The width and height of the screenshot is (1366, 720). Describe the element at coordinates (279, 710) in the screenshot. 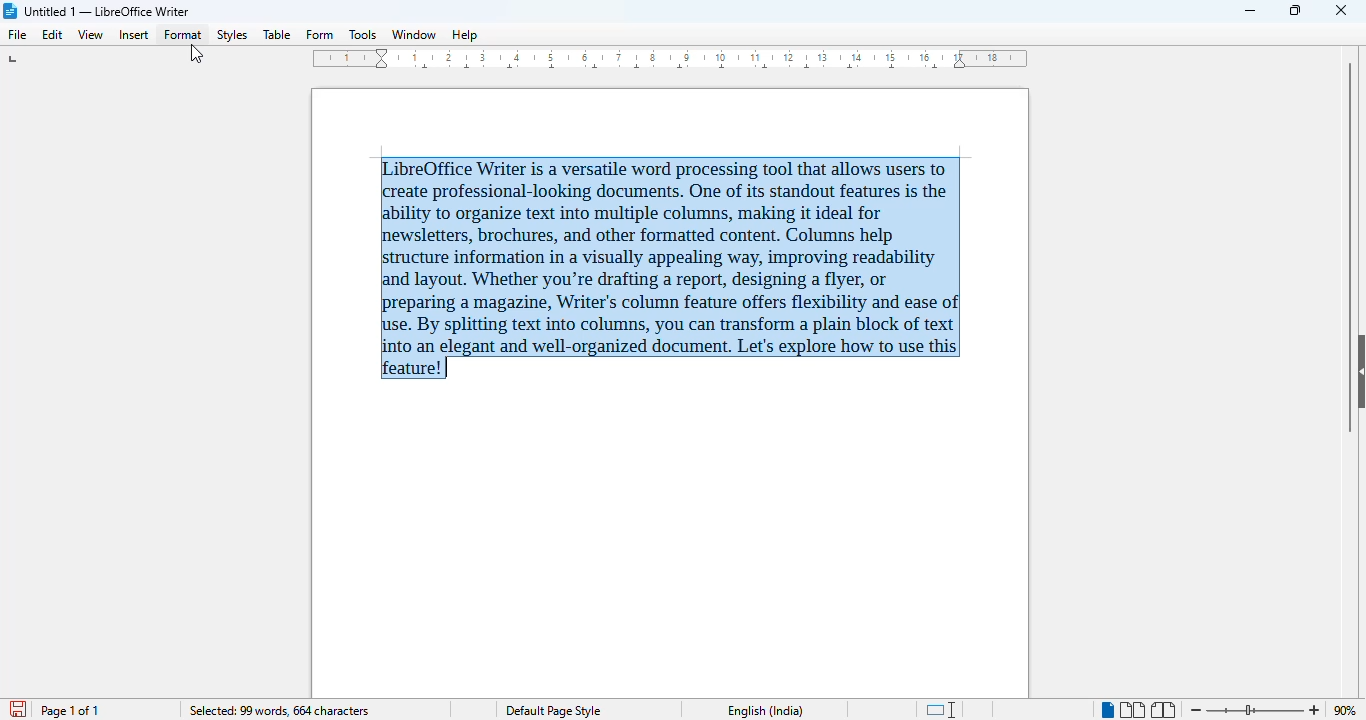

I see `selected: 99 words 664 characters` at that location.